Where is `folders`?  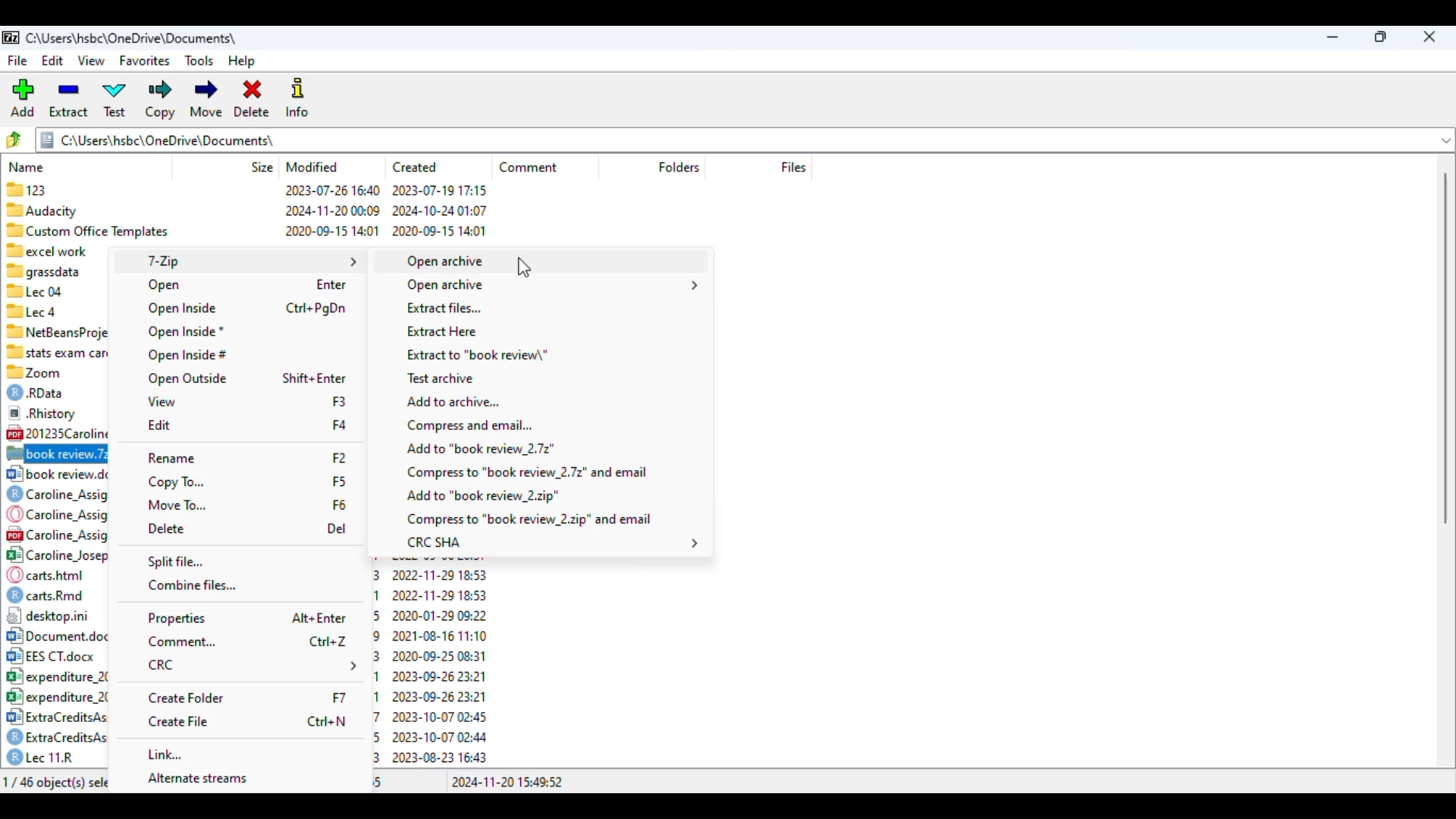 folders is located at coordinates (678, 166).